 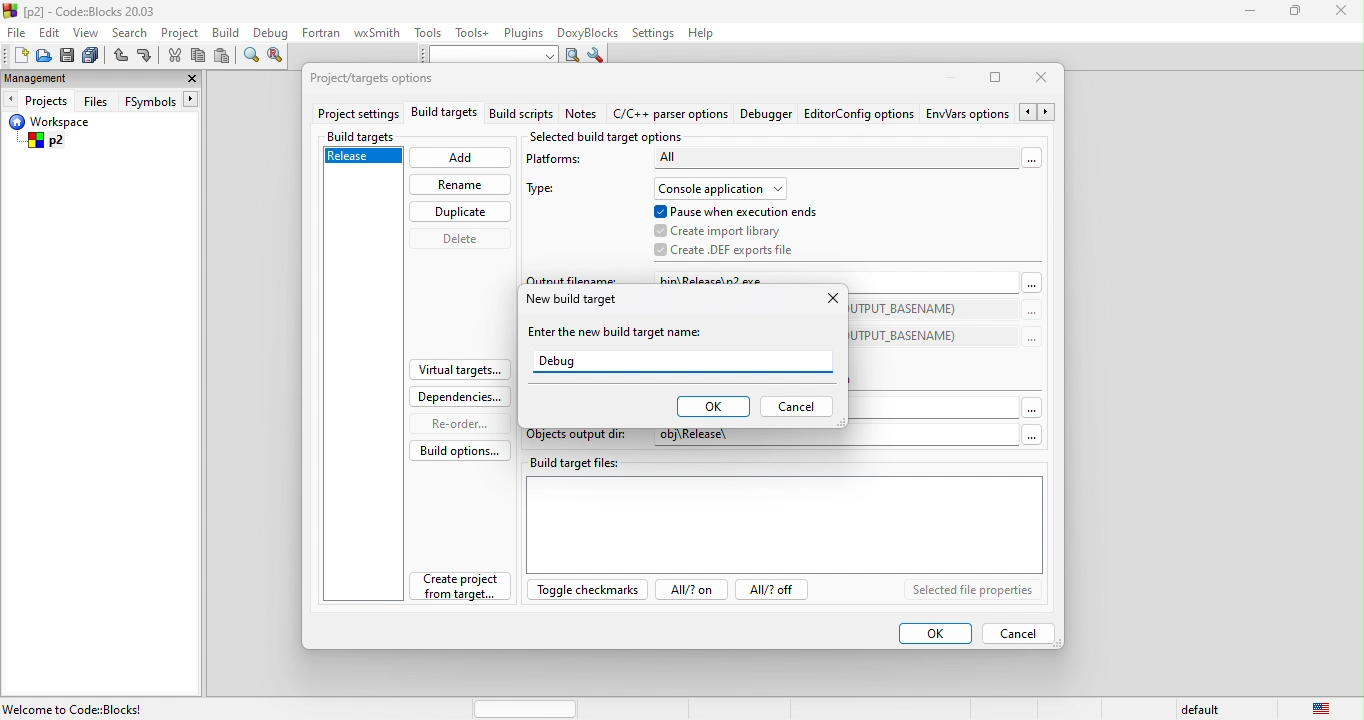 I want to click on close, so click(x=187, y=80).